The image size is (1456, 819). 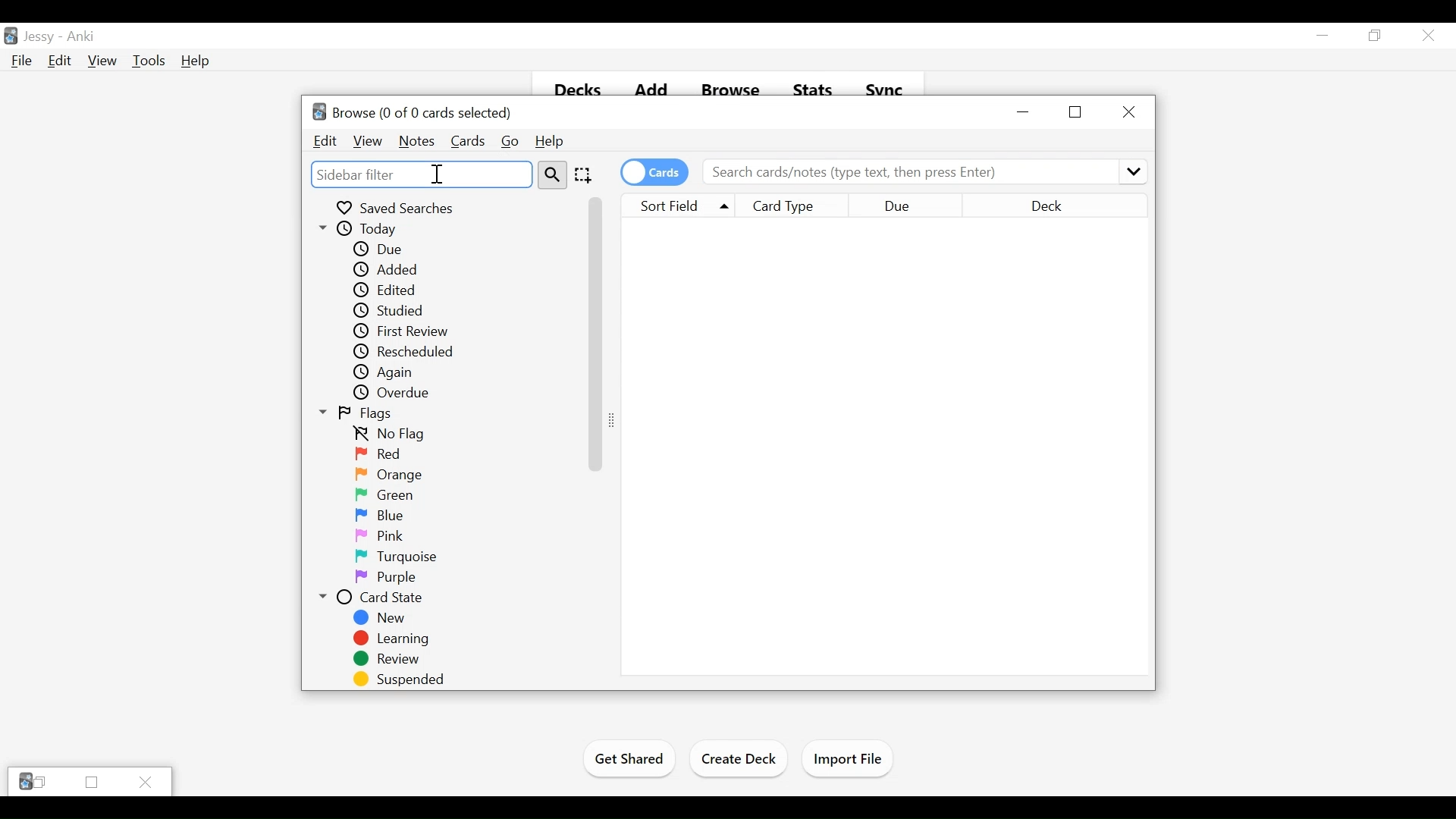 What do you see at coordinates (675, 205) in the screenshot?
I see `Sort Field` at bounding box center [675, 205].